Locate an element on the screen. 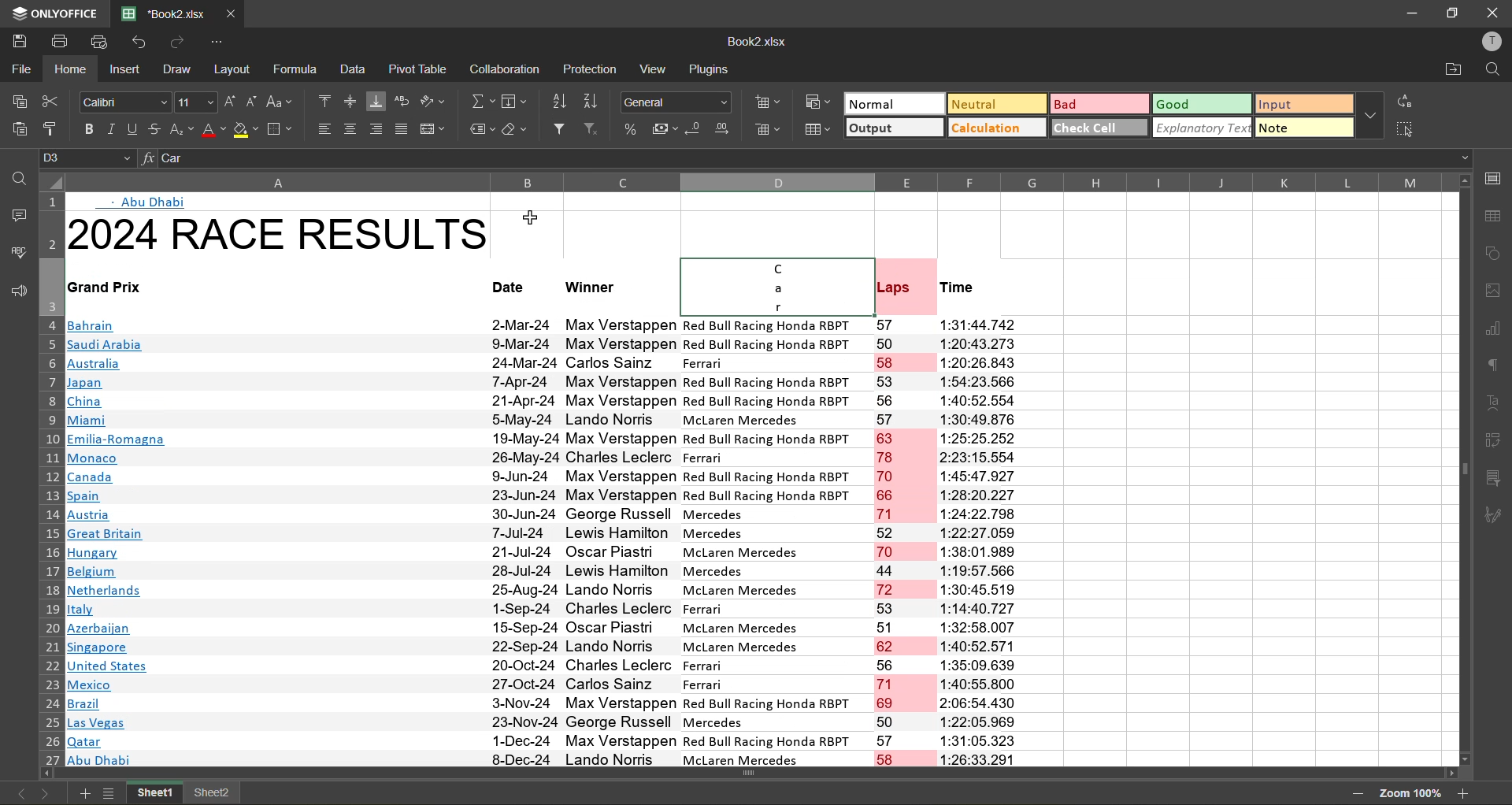 The width and height of the screenshot is (1512, 805). align left is located at coordinates (325, 128).